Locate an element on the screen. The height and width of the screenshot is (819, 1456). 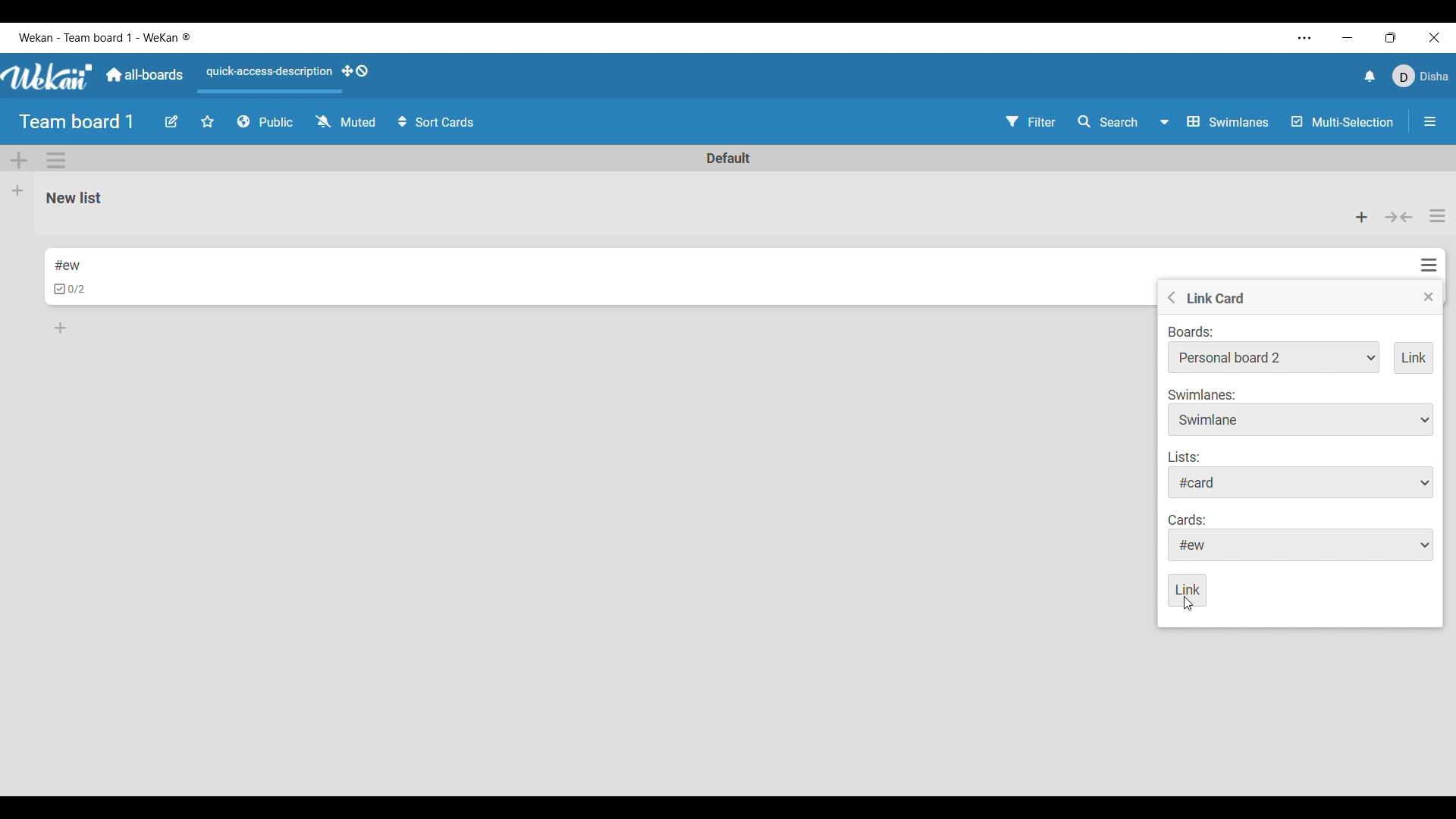
Card options is located at coordinates (1301, 545).